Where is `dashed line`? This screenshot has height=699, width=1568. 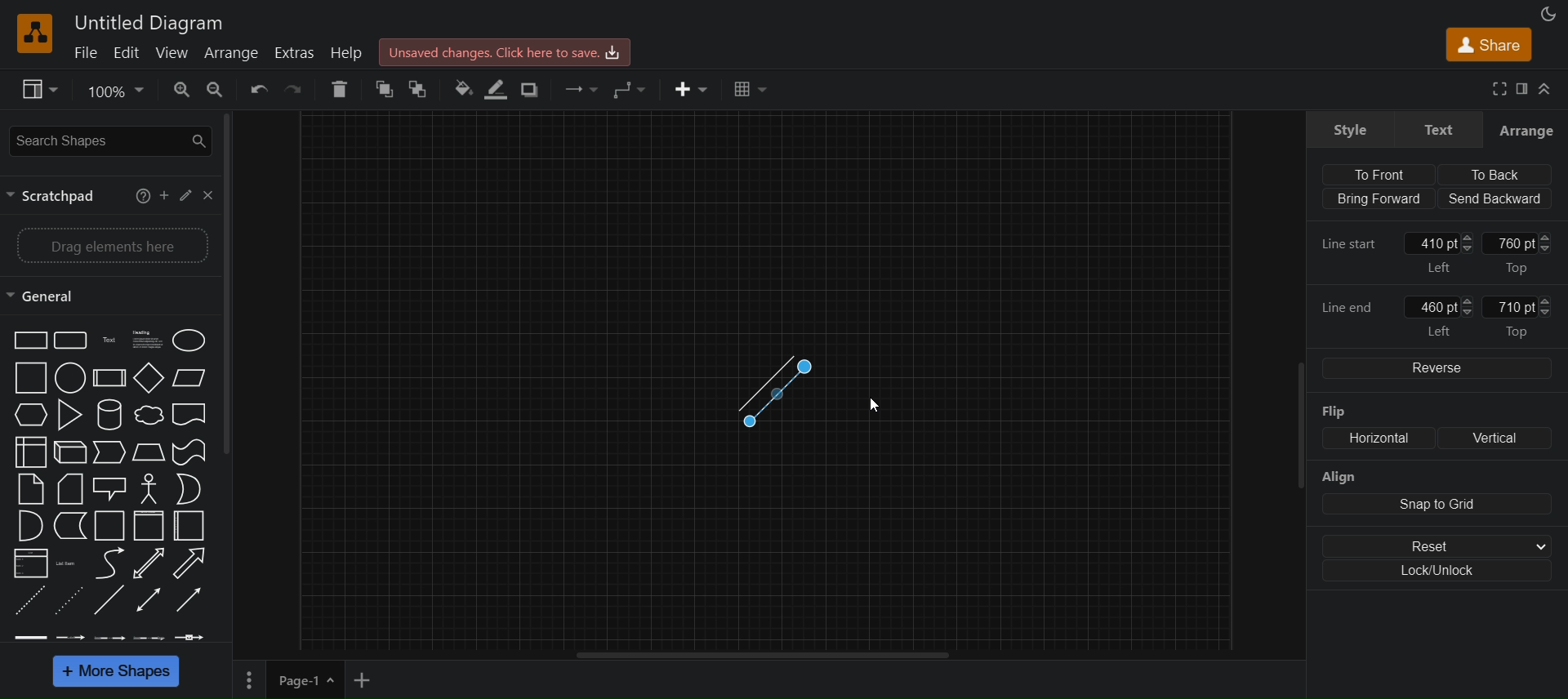
dashed line is located at coordinates (25, 602).